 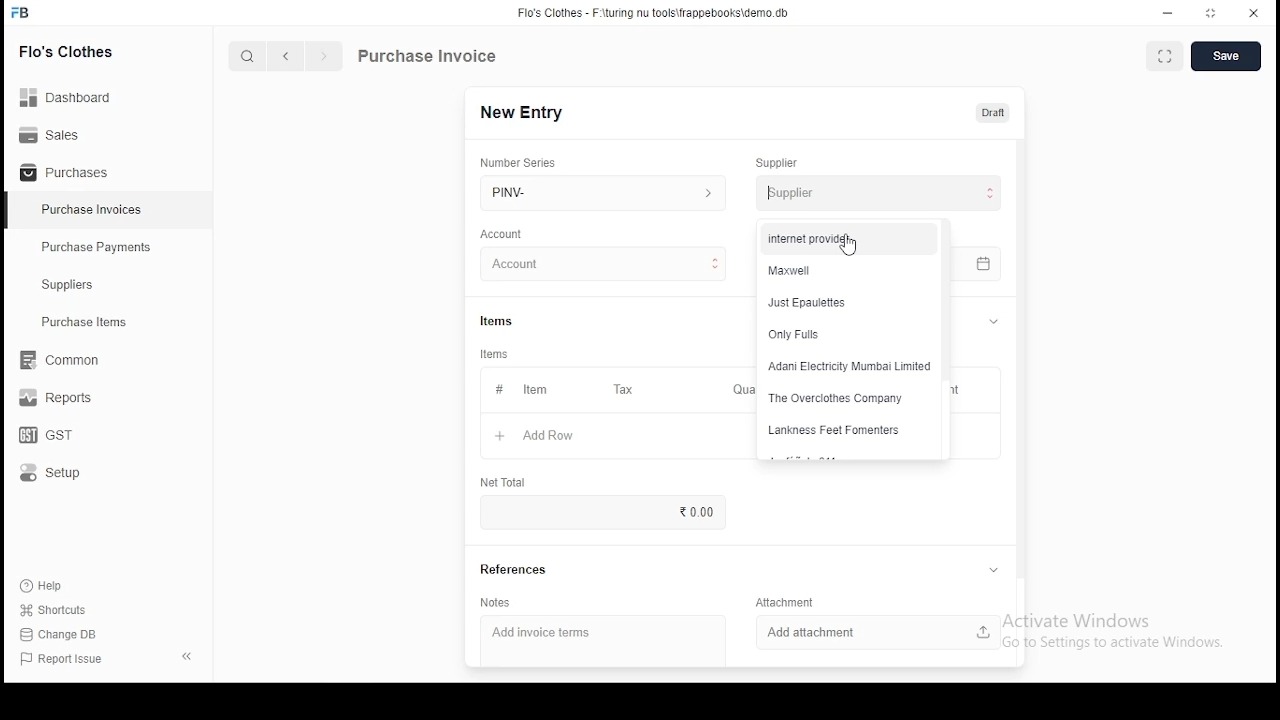 I want to click on notes, so click(x=496, y=603).